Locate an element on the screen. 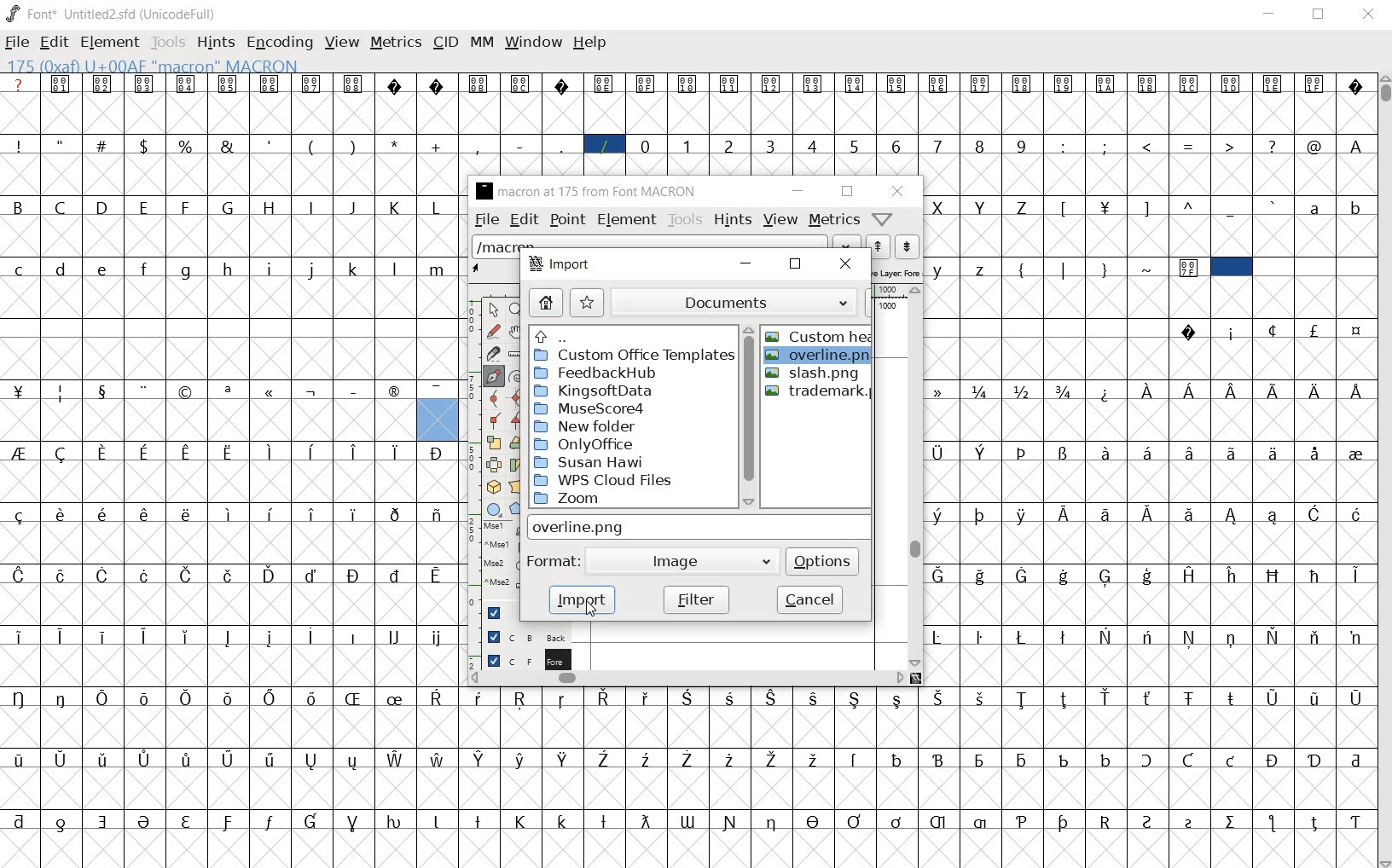  Symbol is located at coordinates (270, 83).